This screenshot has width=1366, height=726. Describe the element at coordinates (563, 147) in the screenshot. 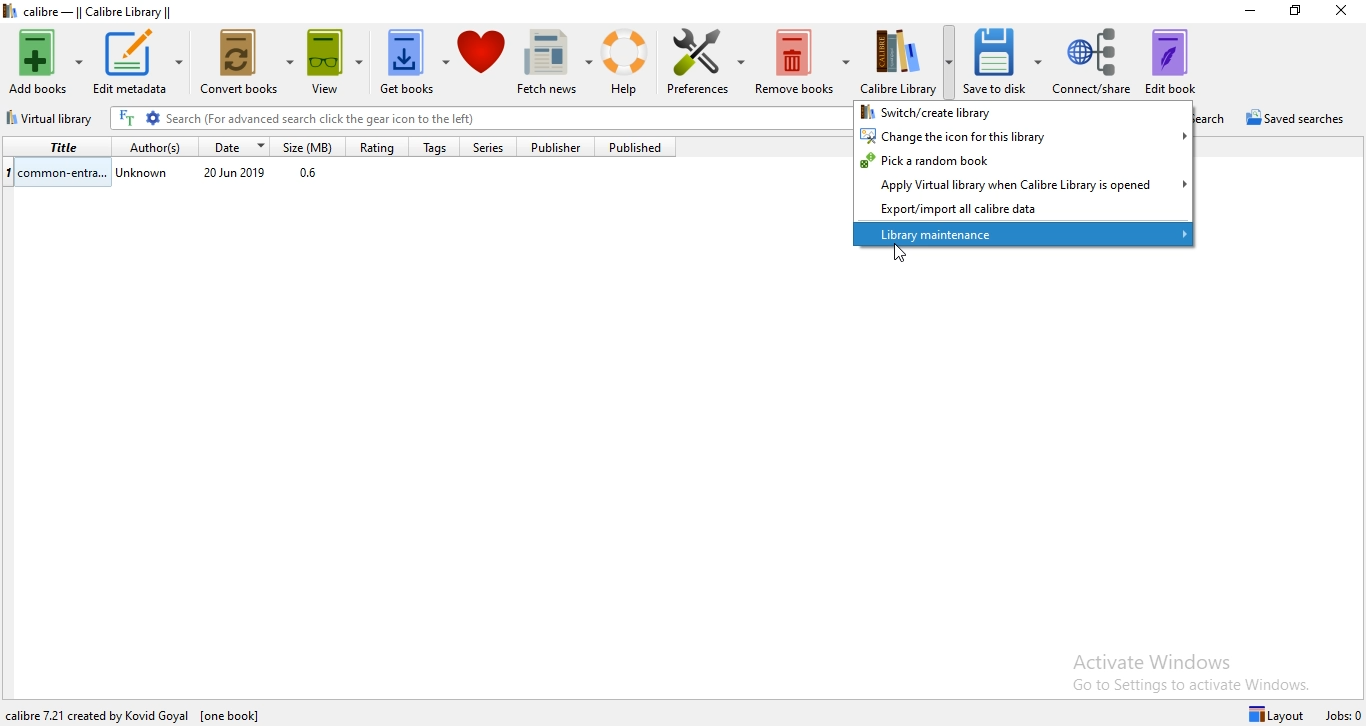

I see `Publisher` at that location.